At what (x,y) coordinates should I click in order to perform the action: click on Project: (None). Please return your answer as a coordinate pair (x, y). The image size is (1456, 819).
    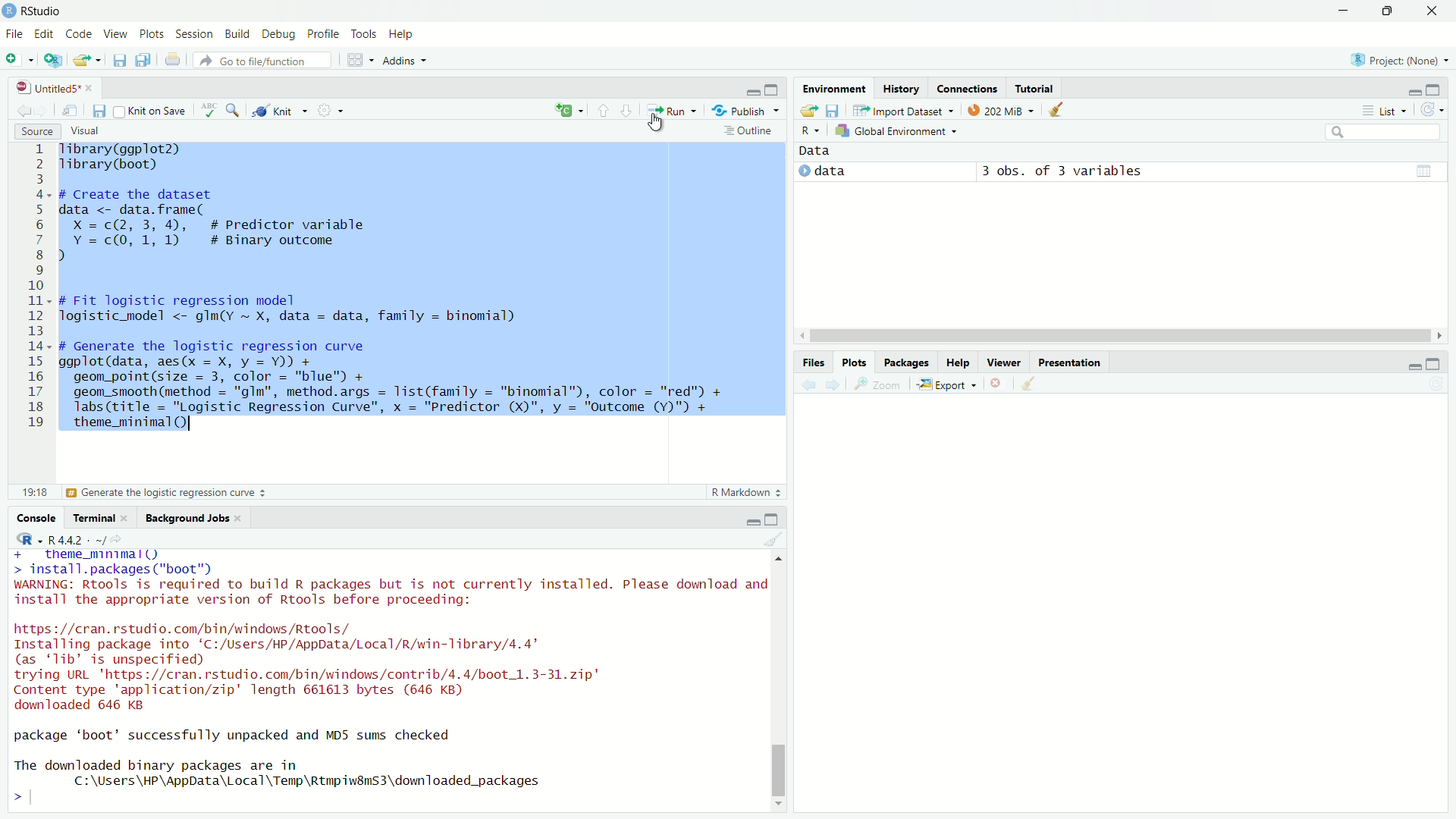
    Looking at the image, I should click on (1399, 60).